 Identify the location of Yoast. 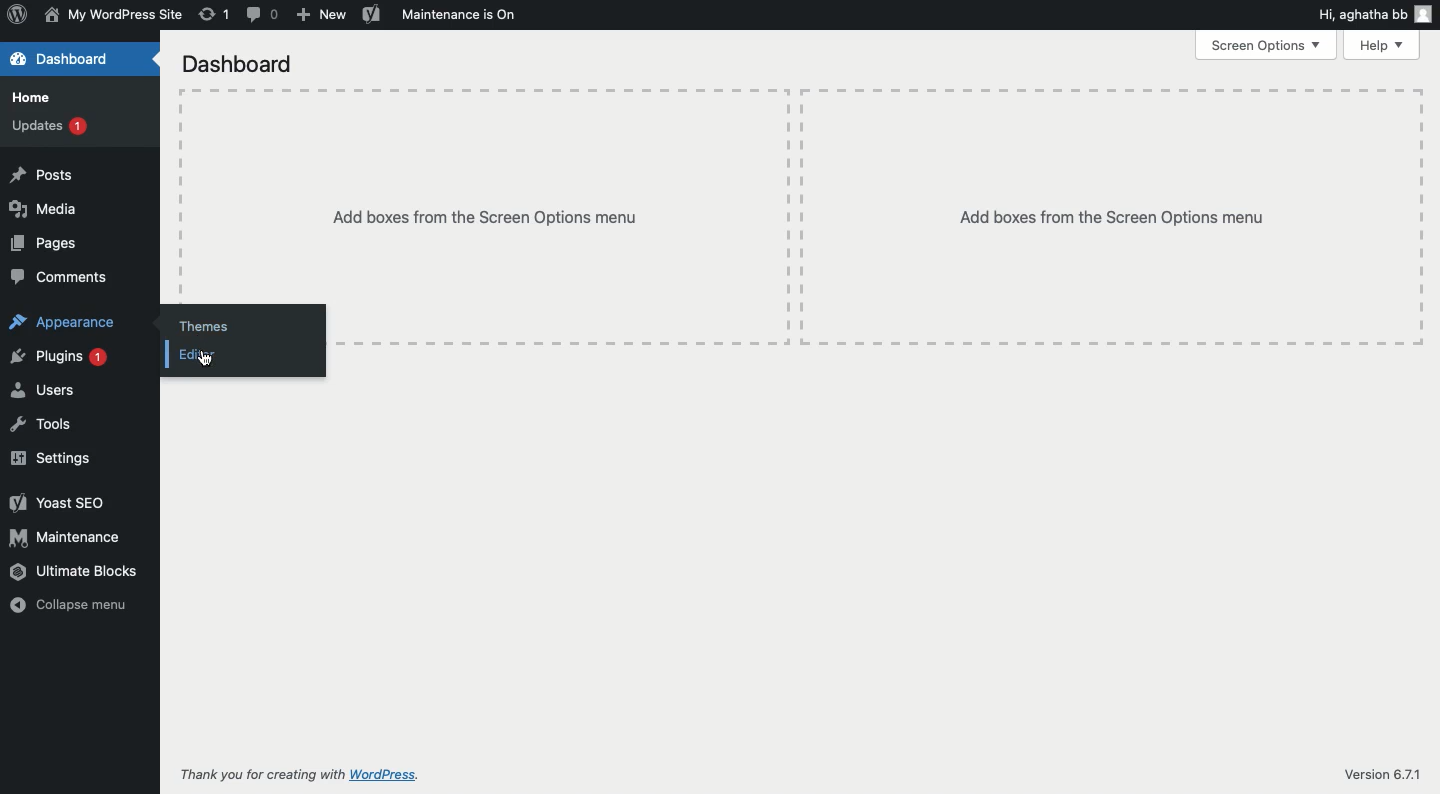
(371, 15).